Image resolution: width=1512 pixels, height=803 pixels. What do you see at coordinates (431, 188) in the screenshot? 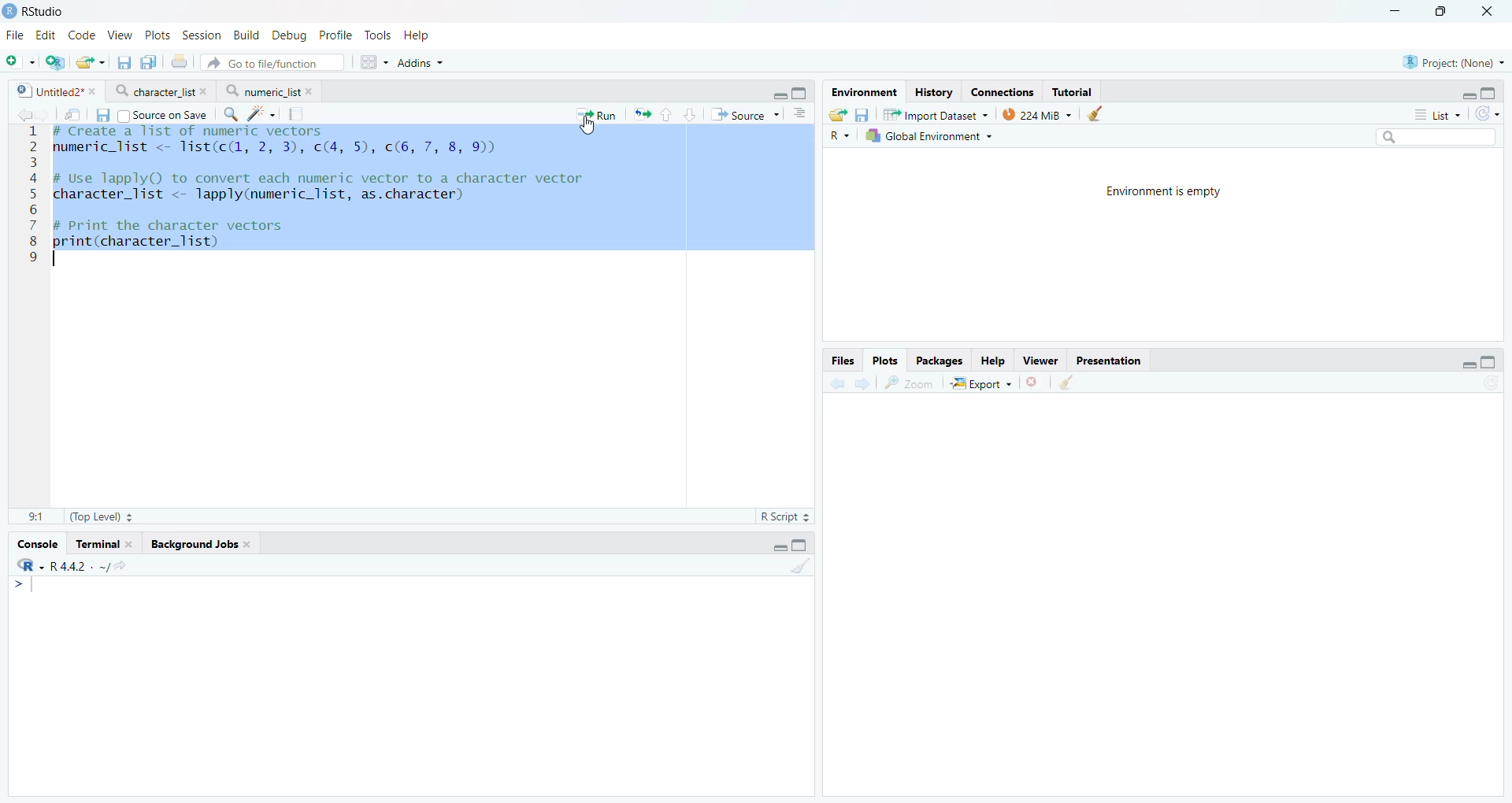
I see `# Create a list of numeric vectors

numeric_list <- list(c(, 2, 3), c(4, 5), c(6, 7, 8, 9)

# Use lapply() to convert each numeric vector to a character vector
character_list <- lapply(numeric_list, as.character)

# Print the character vectors

print(character_Tist)` at bounding box center [431, 188].